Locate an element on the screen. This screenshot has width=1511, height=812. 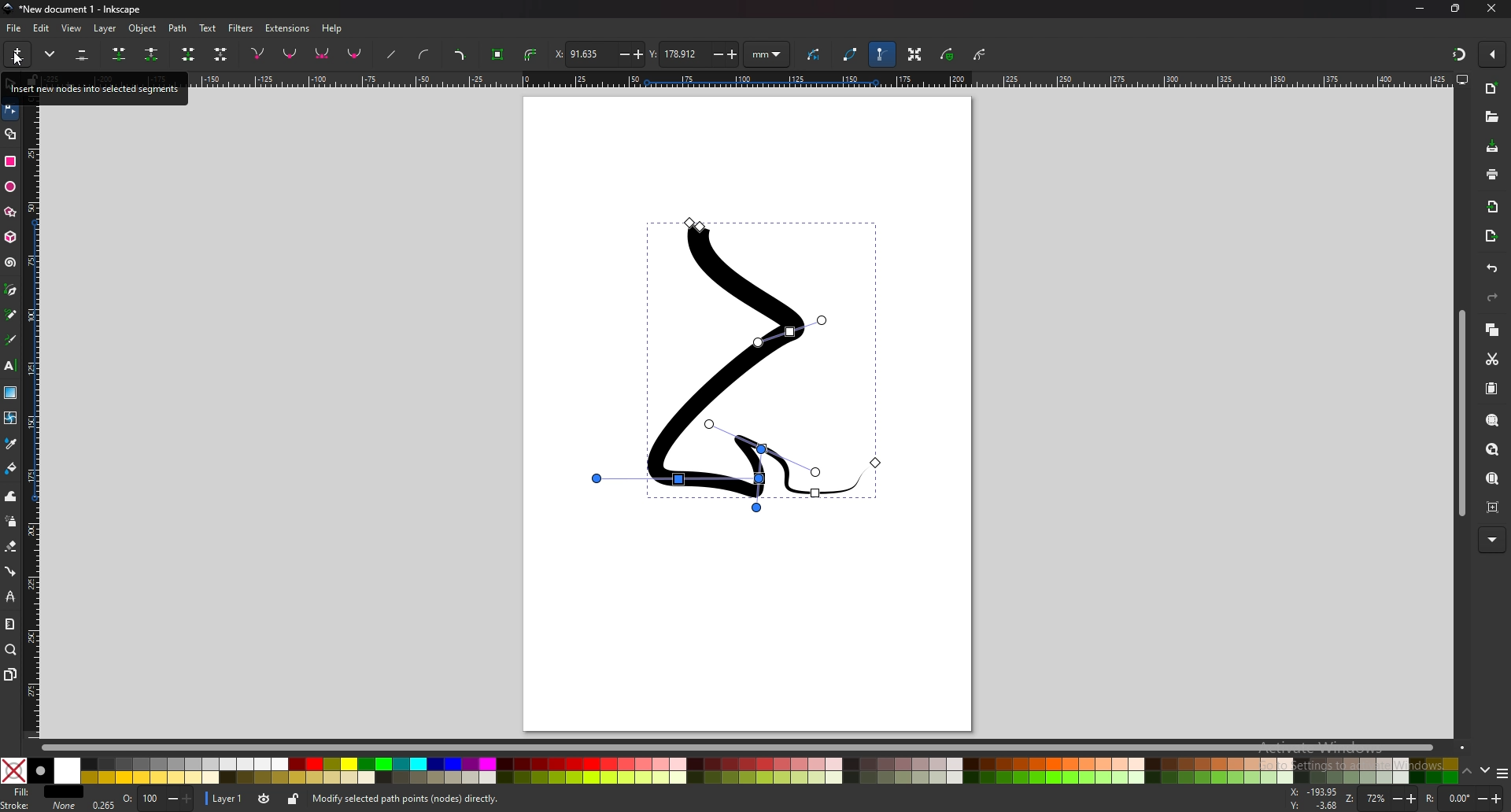
bezier handle is located at coordinates (882, 55).